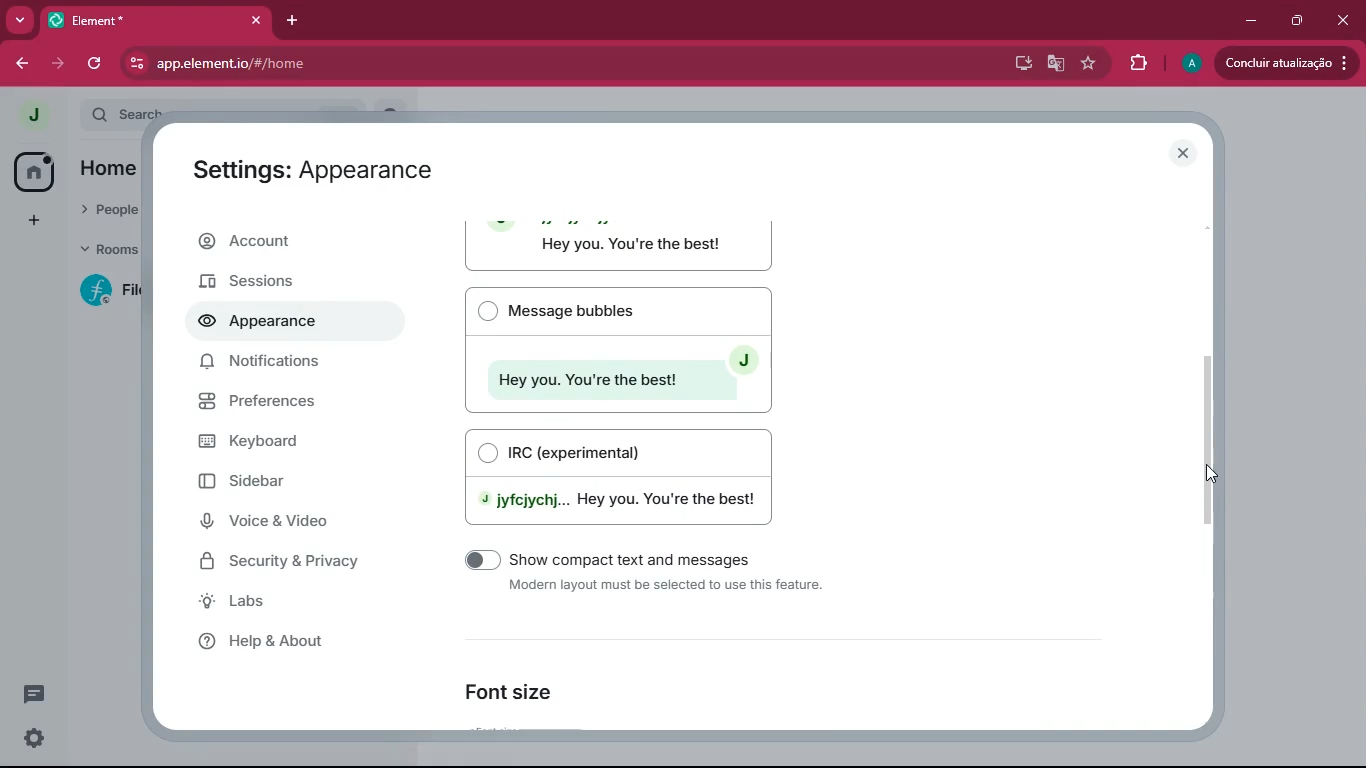 The image size is (1366, 768). Describe the element at coordinates (112, 168) in the screenshot. I see `home` at that location.